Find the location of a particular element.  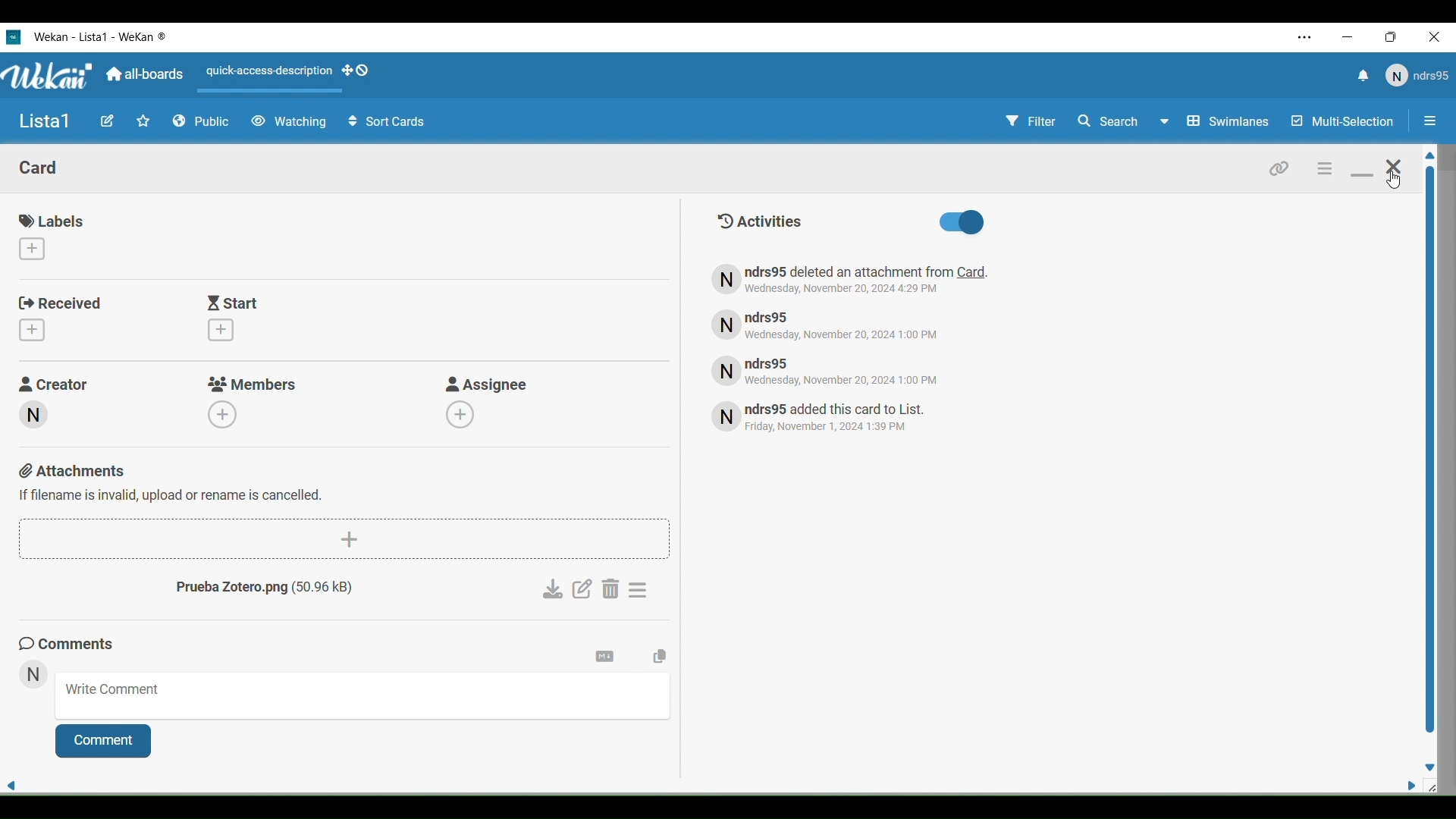

Text is located at coordinates (836, 419).